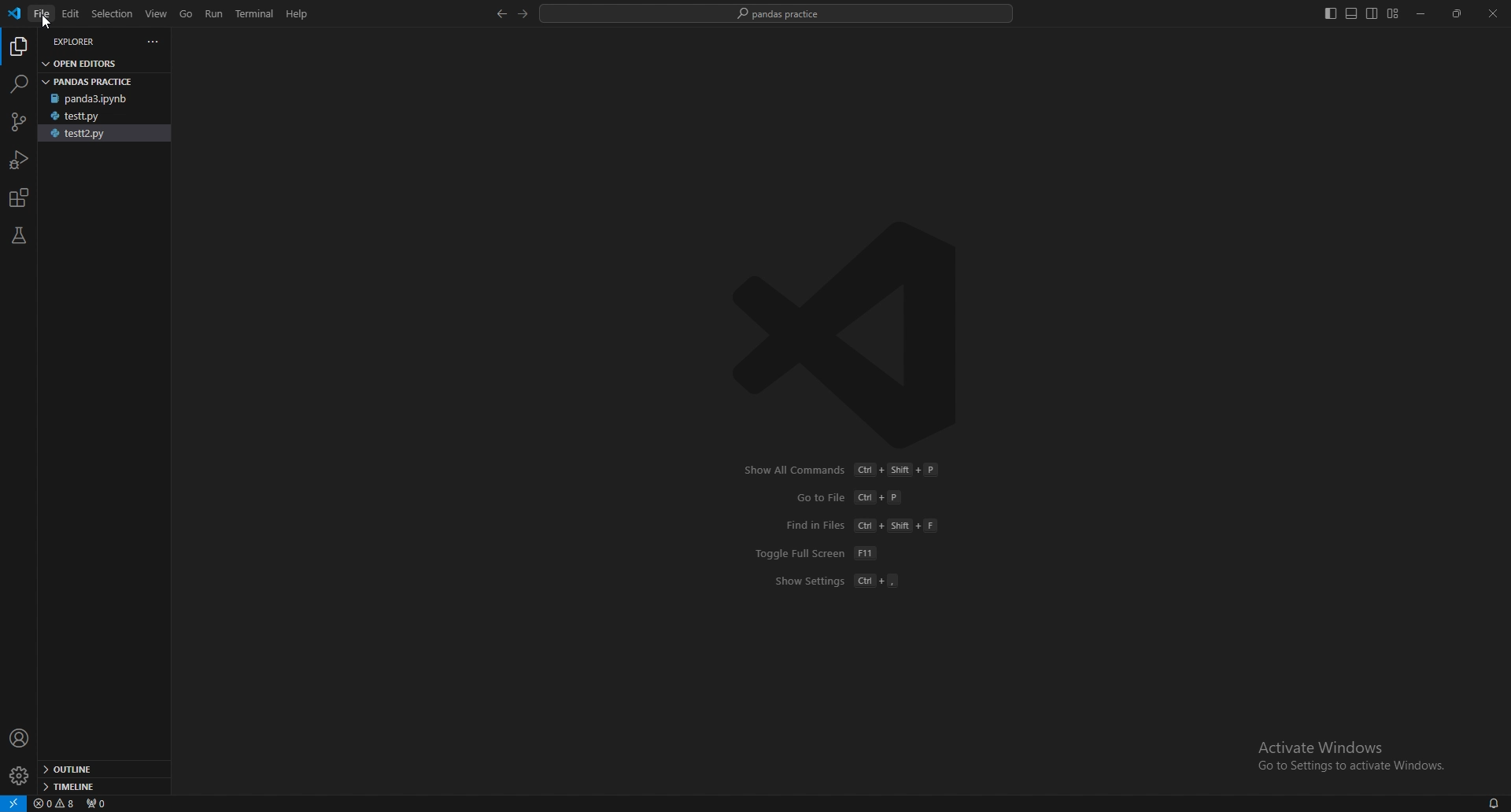  Describe the element at coordinates (72, 13) in the screenshot. I see `edit` at that location.